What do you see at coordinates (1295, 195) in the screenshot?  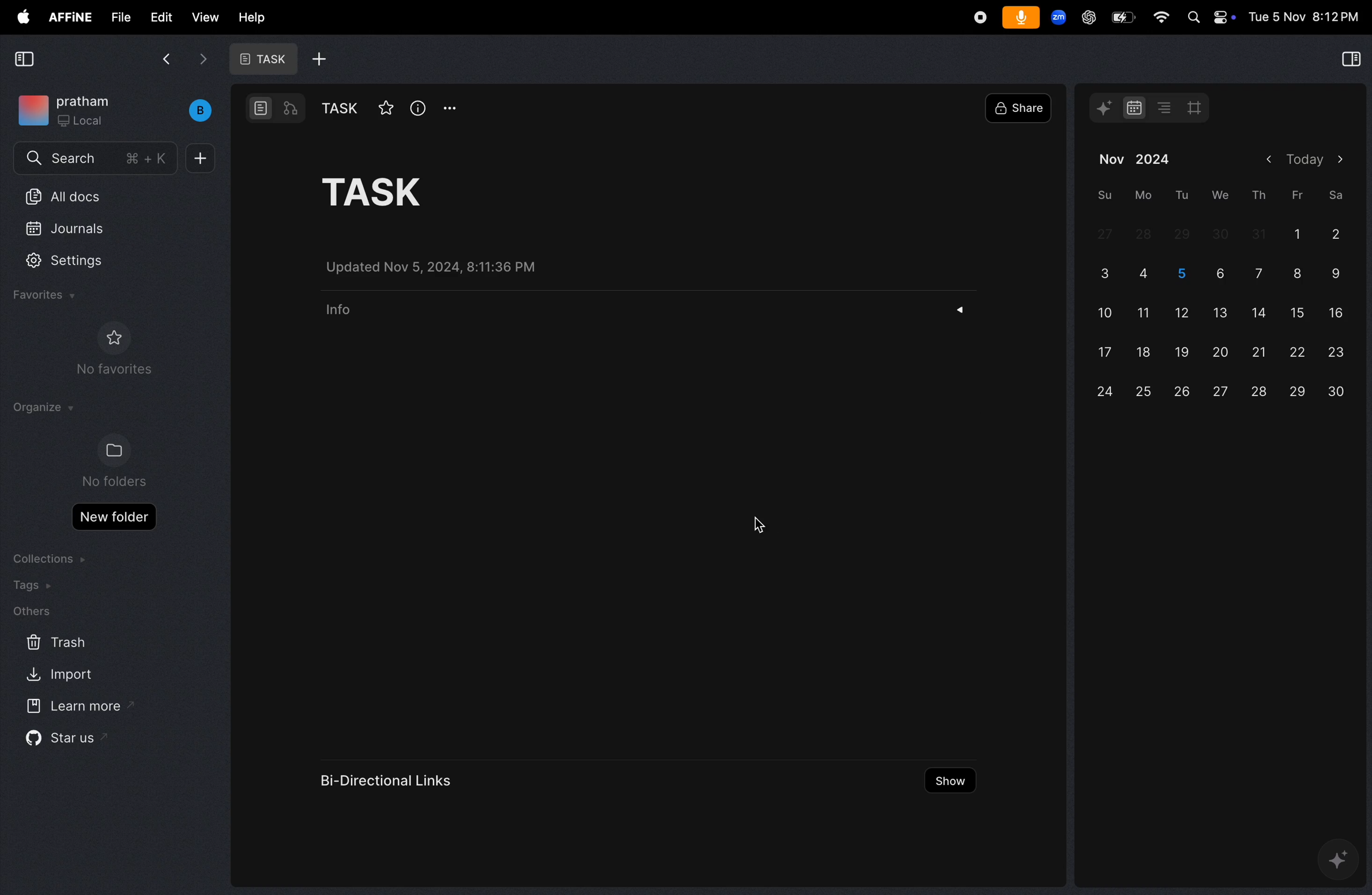 I see `friday` at bounding box center [1295, 195].